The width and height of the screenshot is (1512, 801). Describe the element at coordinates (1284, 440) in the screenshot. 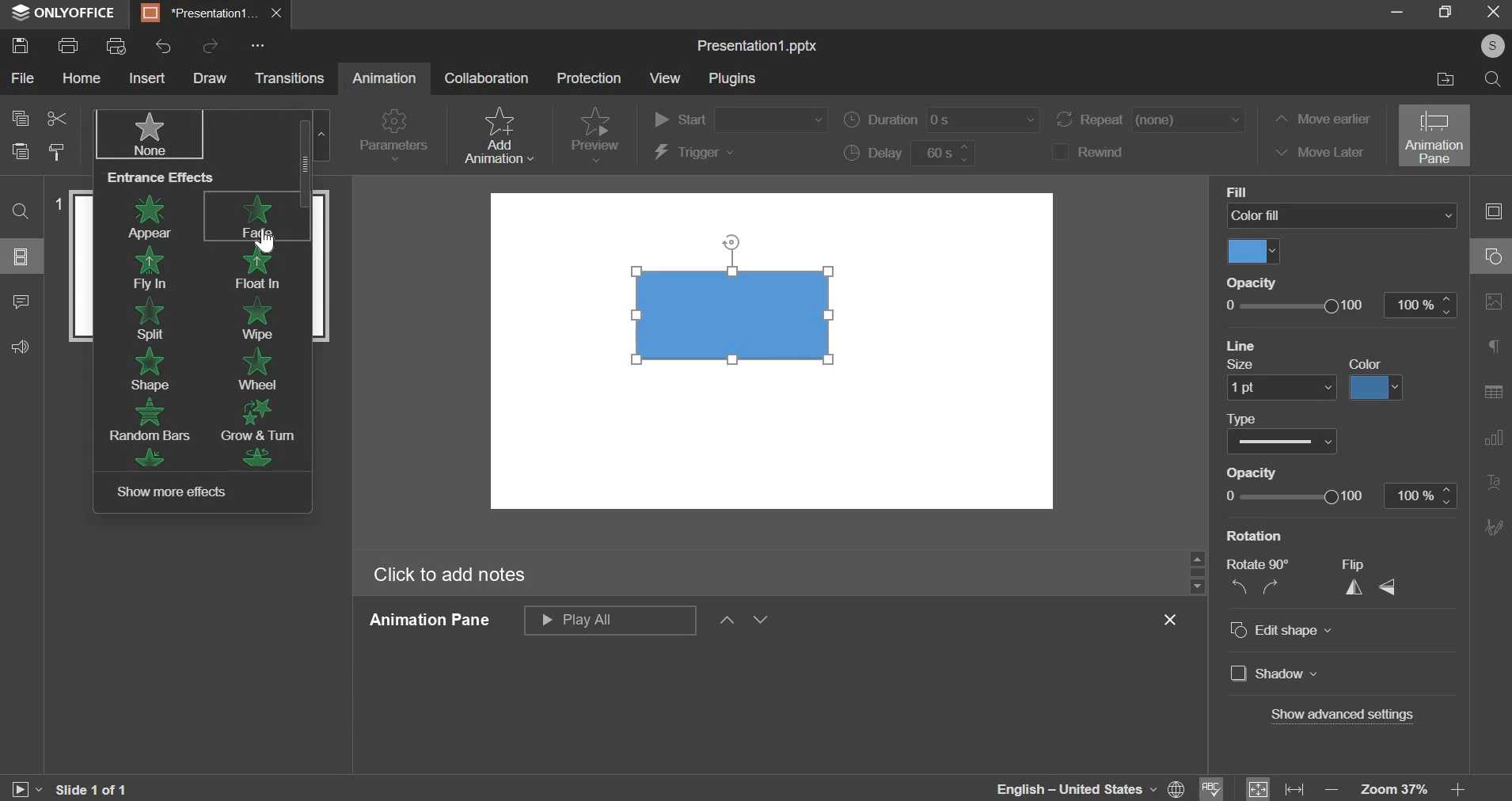

I see `type` at that location.